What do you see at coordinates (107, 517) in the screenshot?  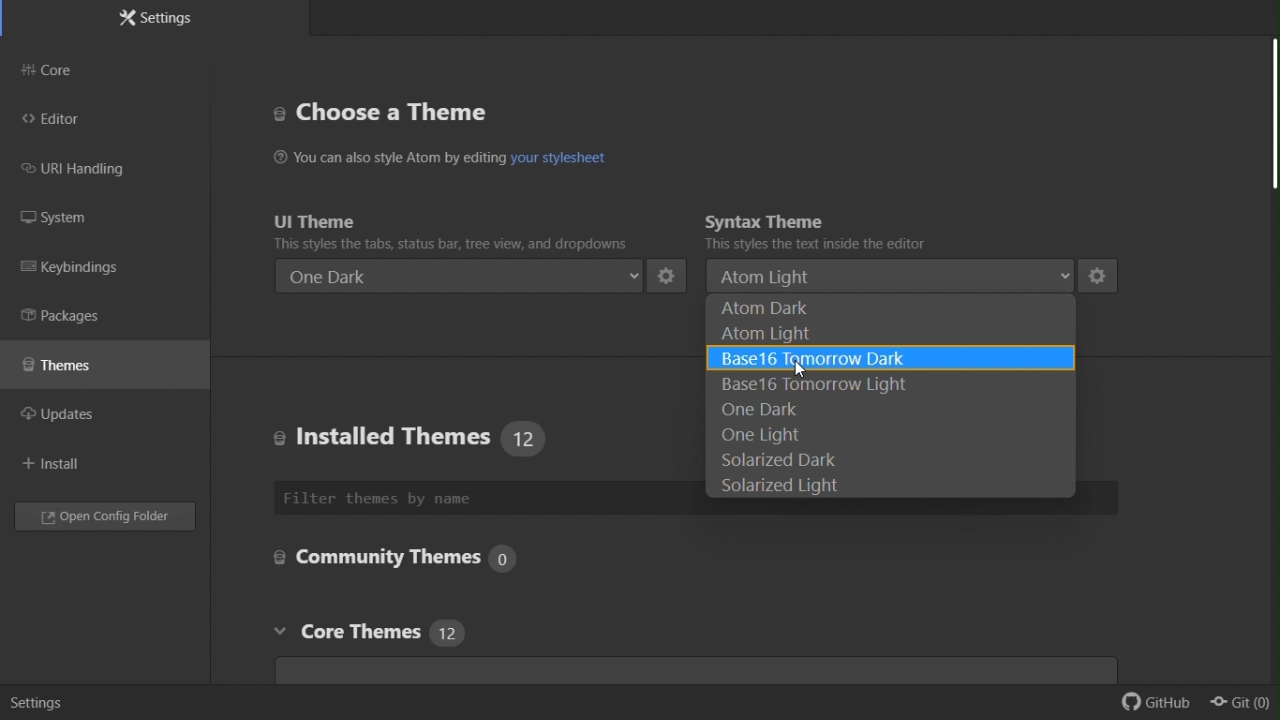 I see `Open config folder` at bounding box center [107, 517].